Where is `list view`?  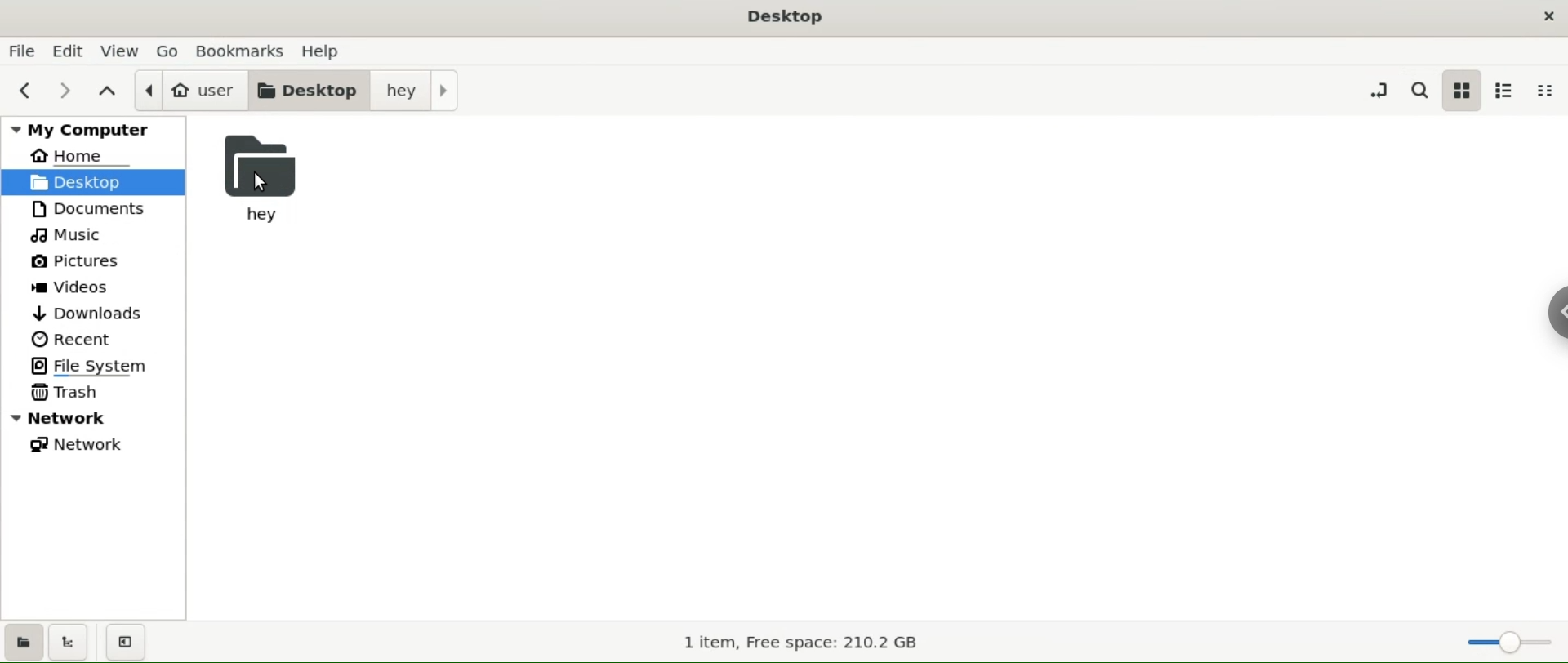
list view is located at coordinates (1506, 90).